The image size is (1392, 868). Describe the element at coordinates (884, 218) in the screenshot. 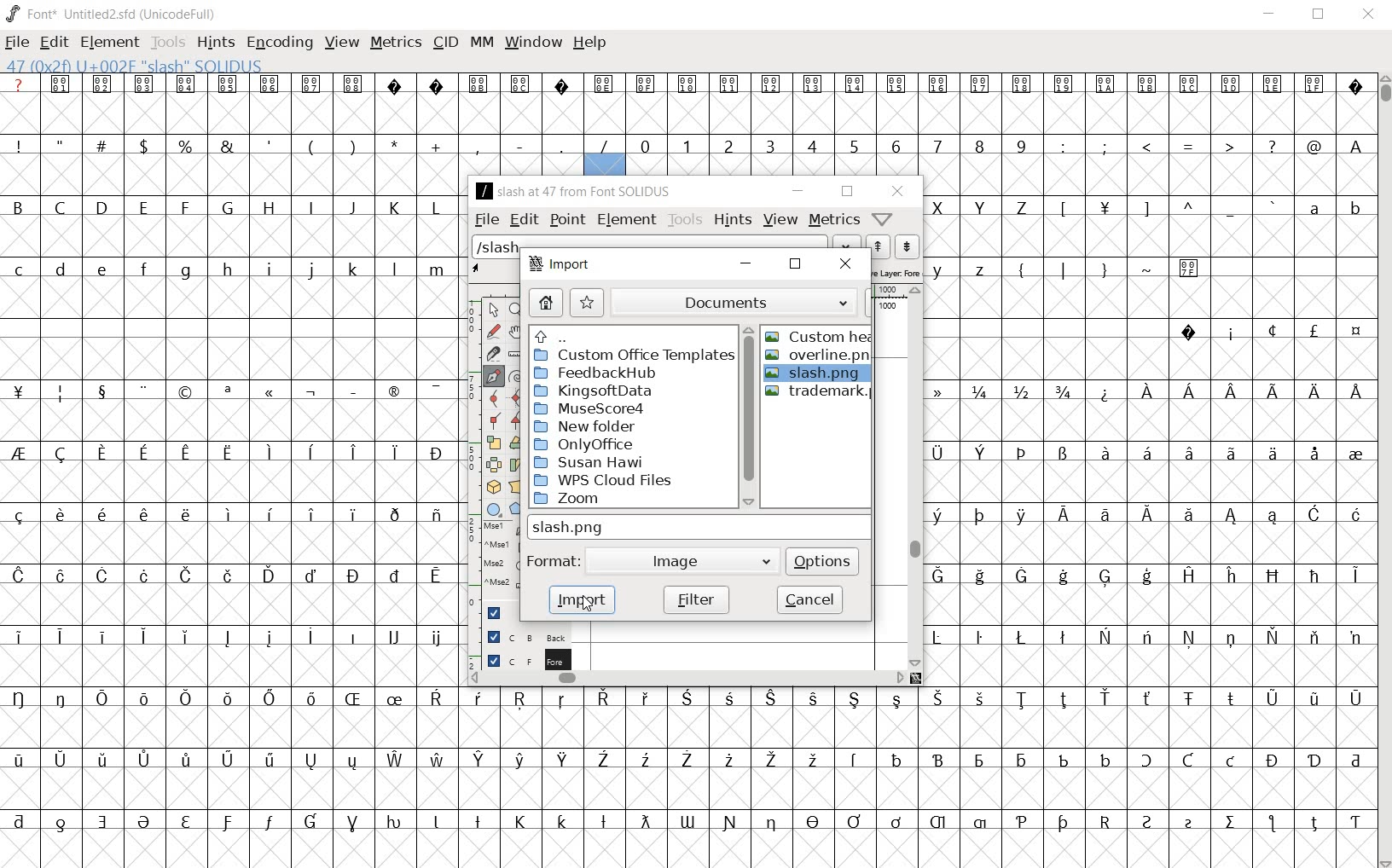

I see `Help/Window` at that location.